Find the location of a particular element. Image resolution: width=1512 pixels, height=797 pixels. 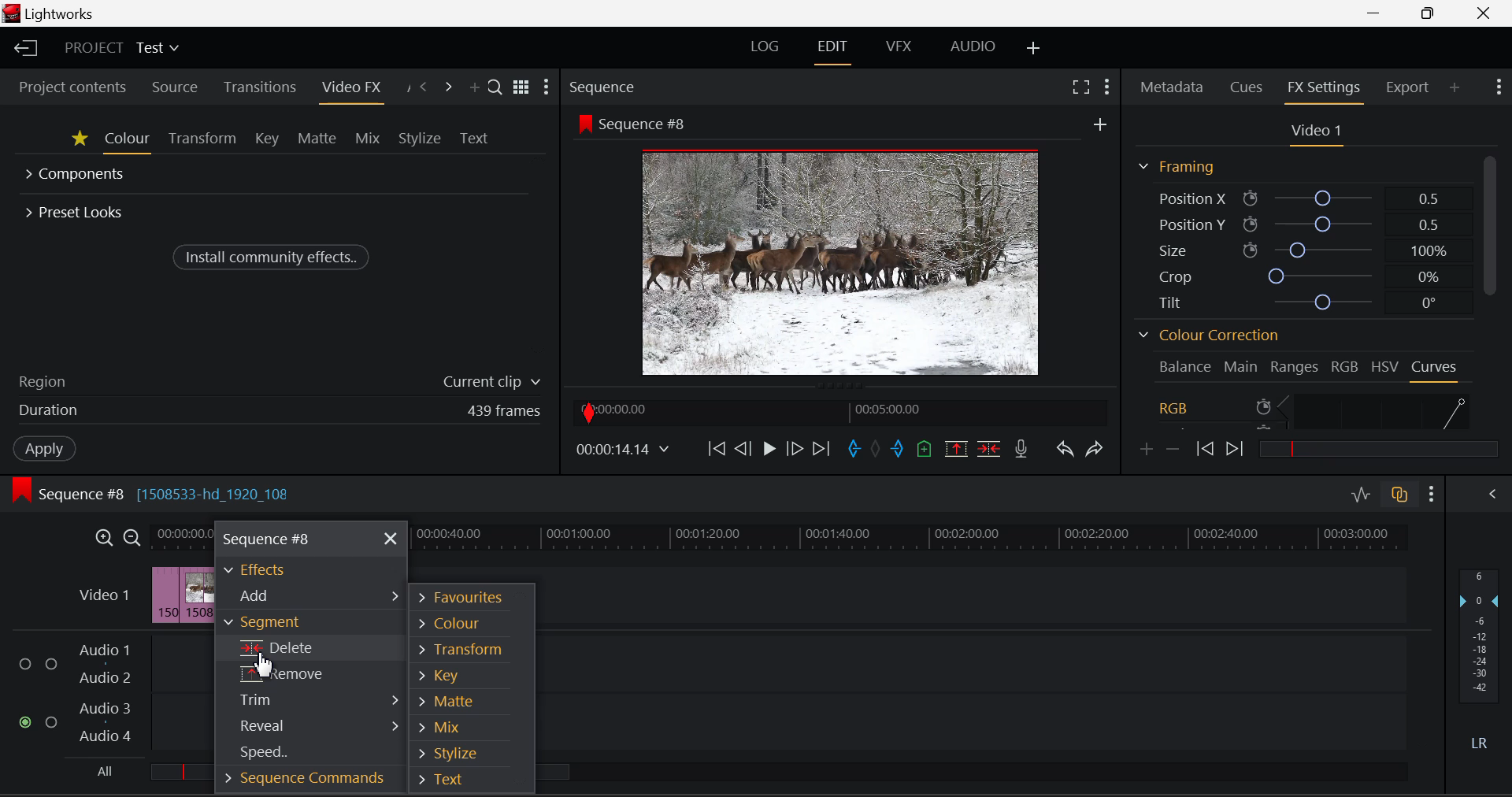

Position X is located at coordinates (1296, 198).